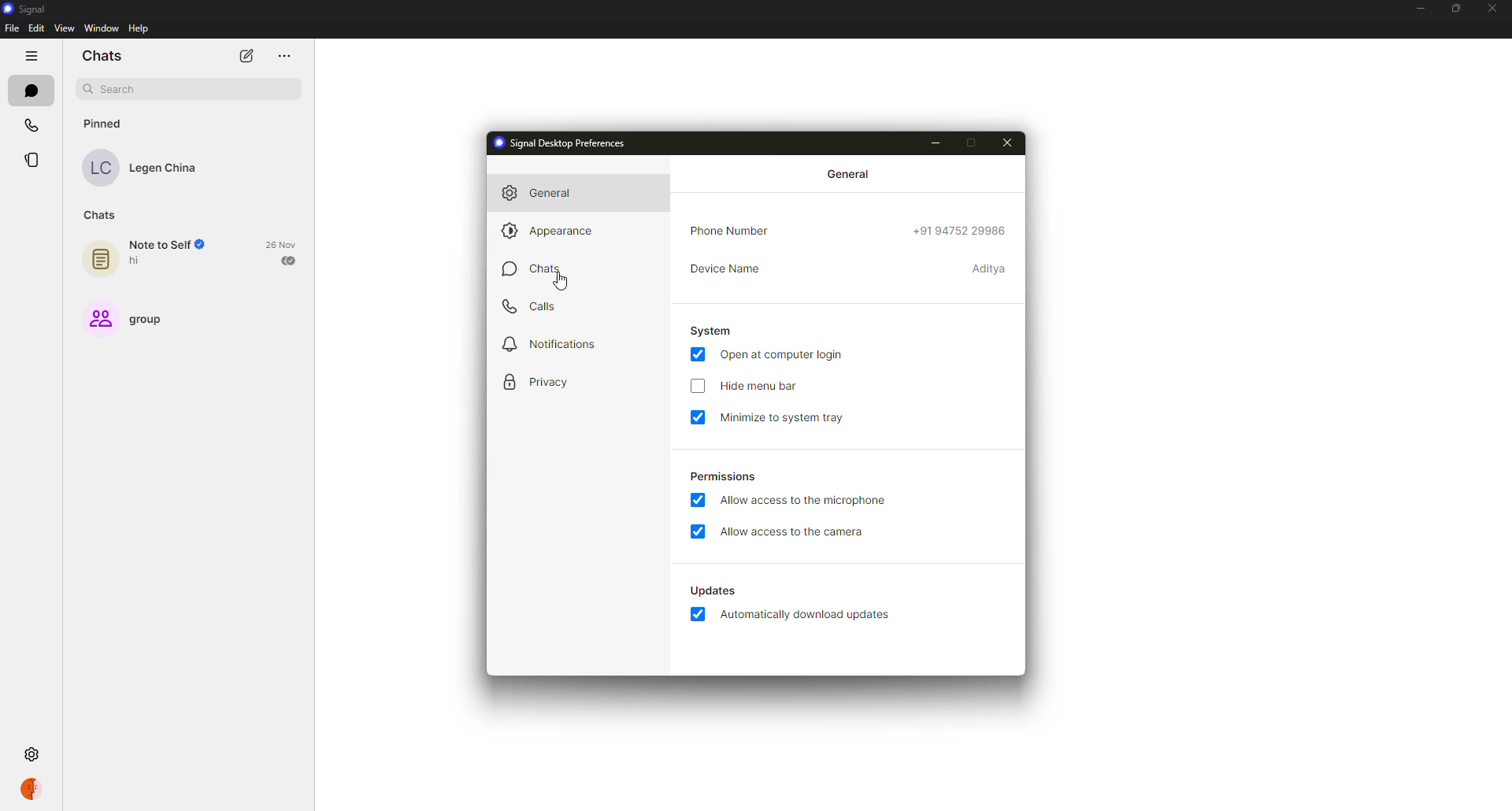 The width and height of the screenshot is (1512, 811). I want to click on view, so click(63, 28).